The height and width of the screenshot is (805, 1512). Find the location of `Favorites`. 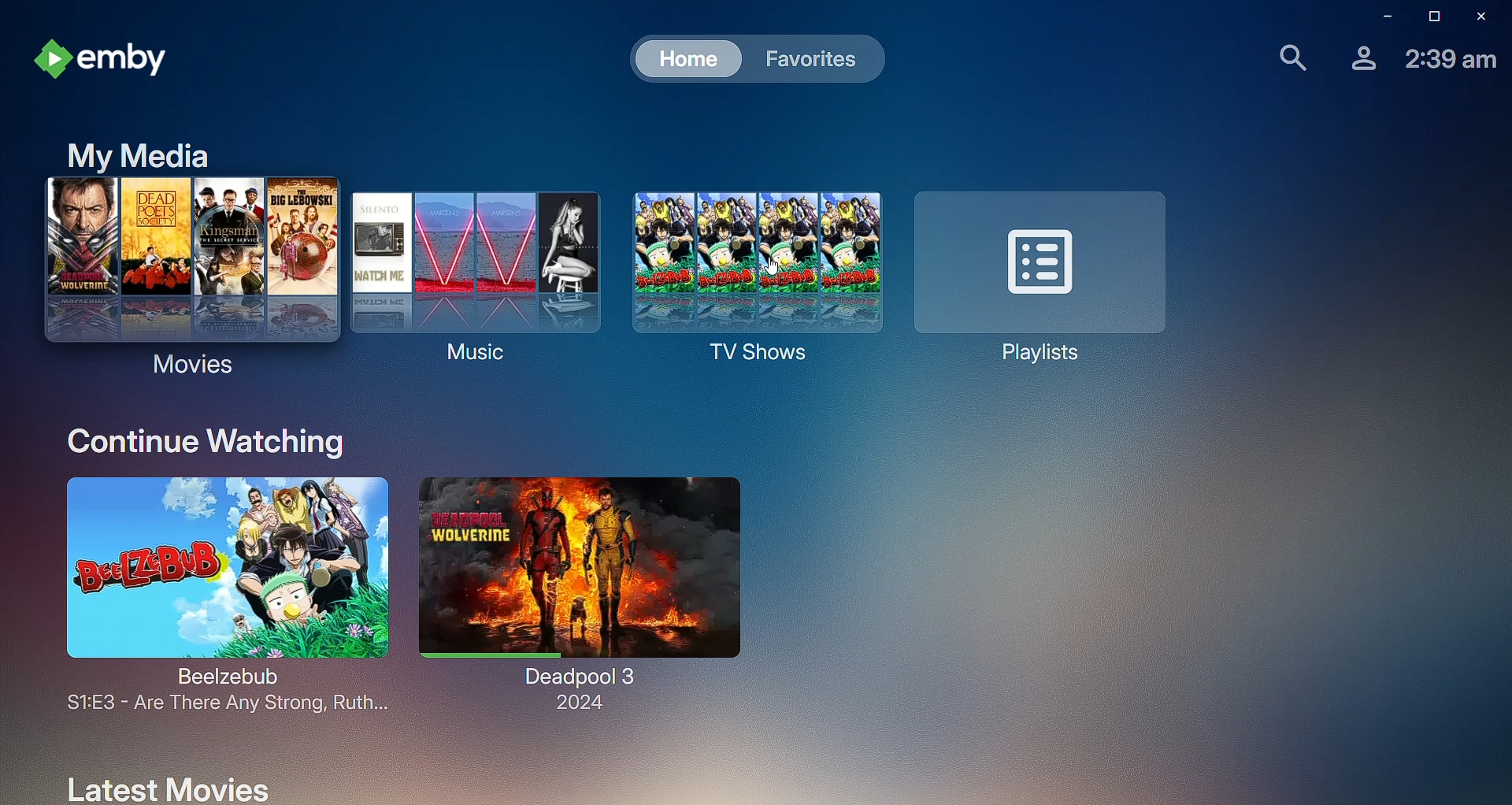

Favorites is located at coordinates (811, 58).